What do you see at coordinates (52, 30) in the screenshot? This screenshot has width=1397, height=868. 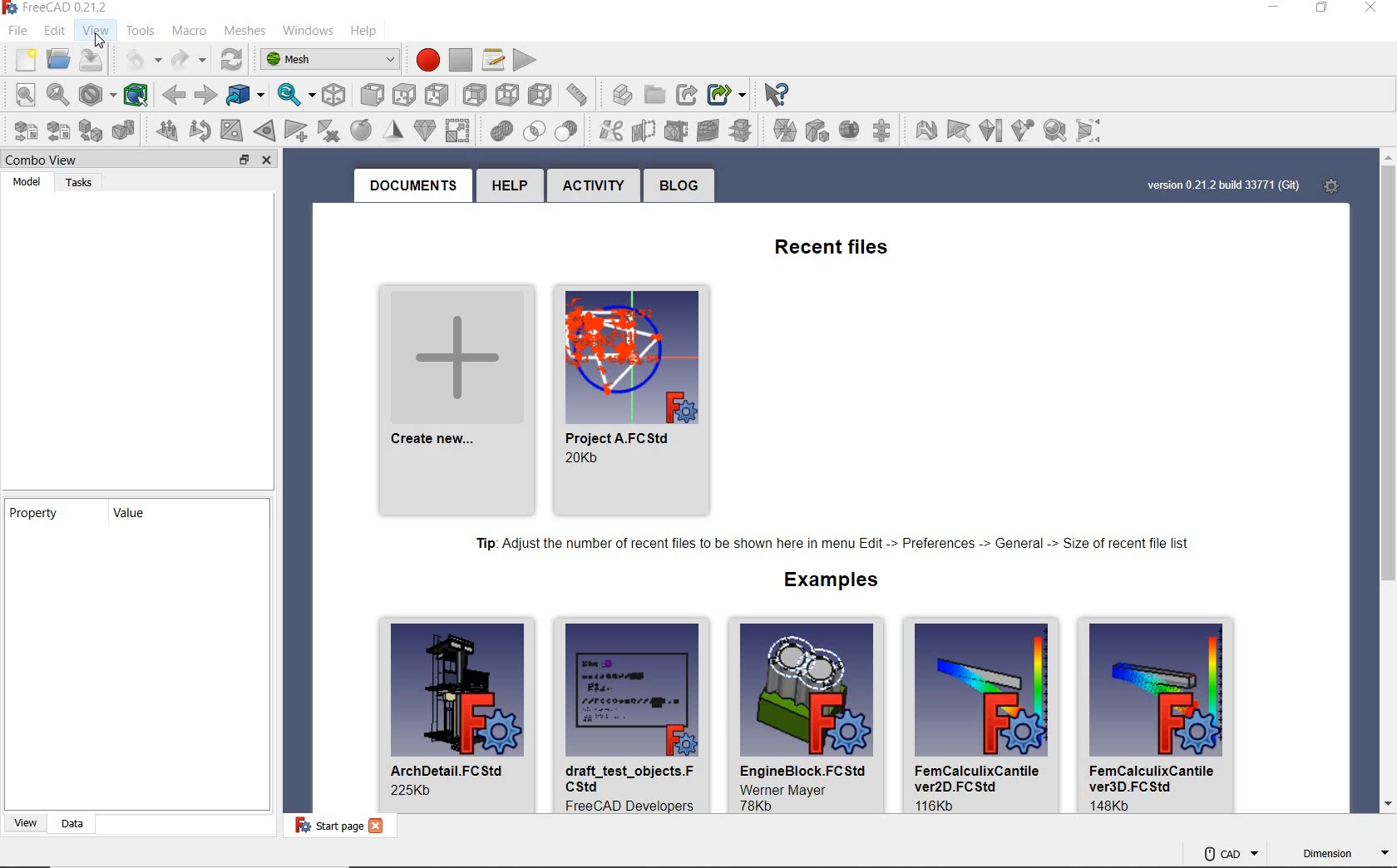 I see `edit` at bounding box center [52, 30].